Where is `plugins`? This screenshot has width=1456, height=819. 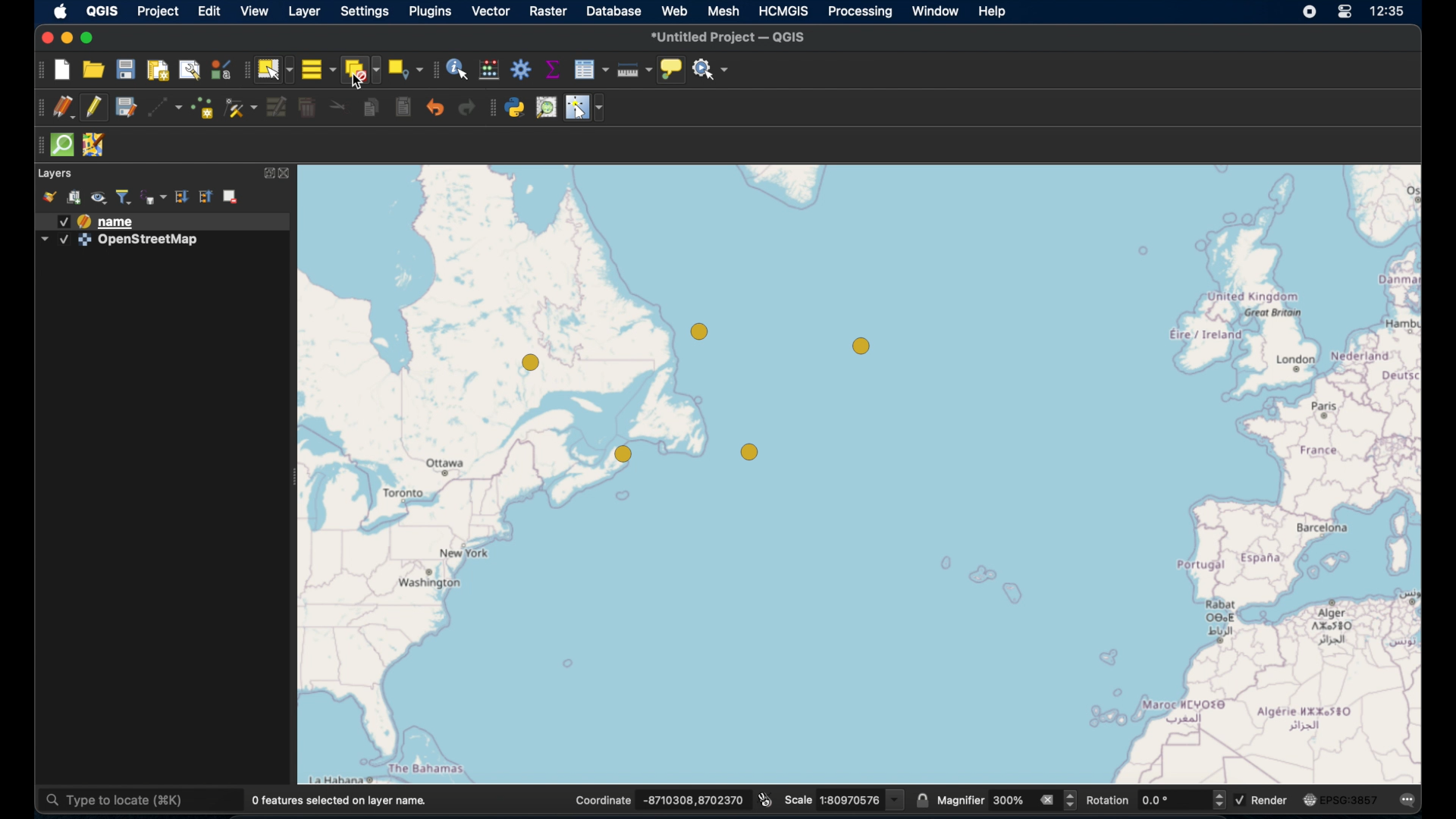 plugins is located at coordinates (430, 13).